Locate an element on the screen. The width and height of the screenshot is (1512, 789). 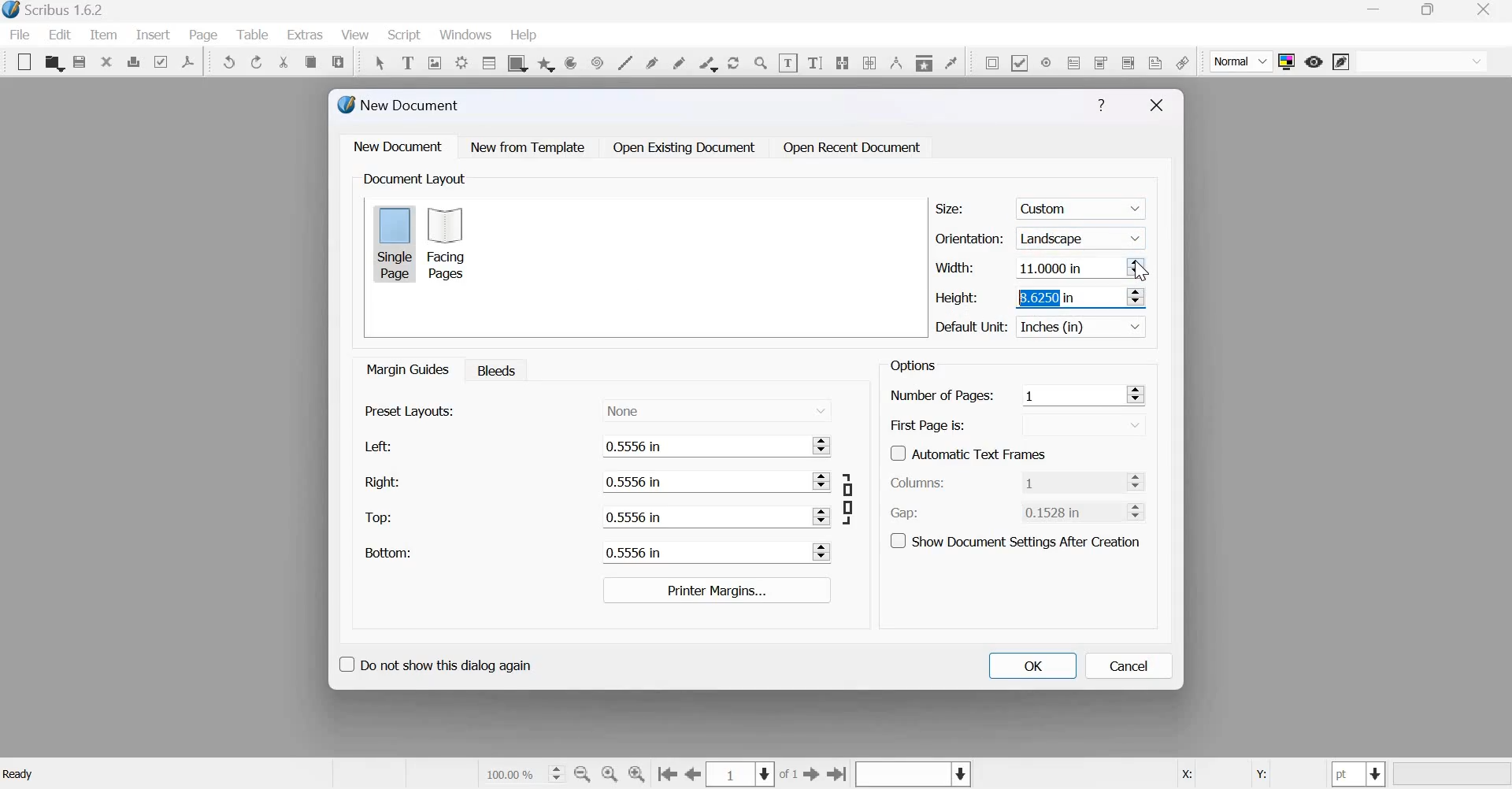
preview mode is located at coordinates (1314, 61).